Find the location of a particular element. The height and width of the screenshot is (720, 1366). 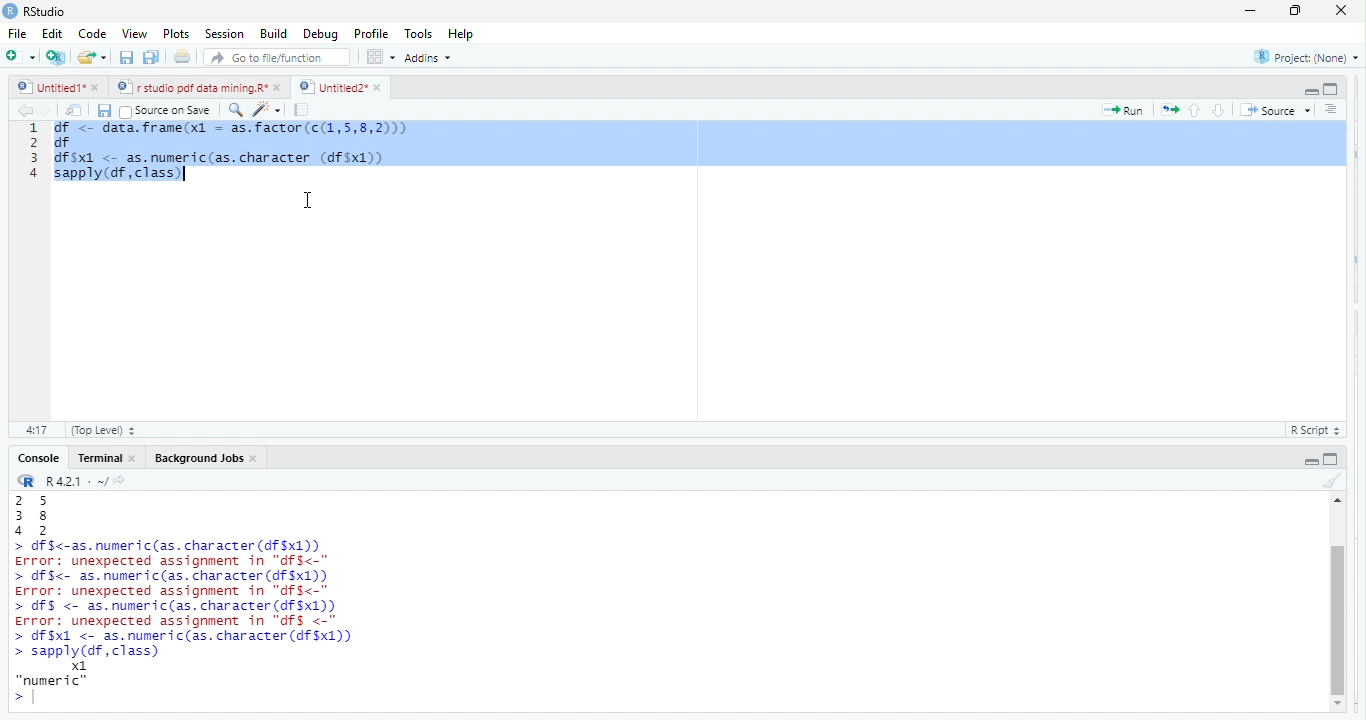

Code is located at coordinates (93, 33).